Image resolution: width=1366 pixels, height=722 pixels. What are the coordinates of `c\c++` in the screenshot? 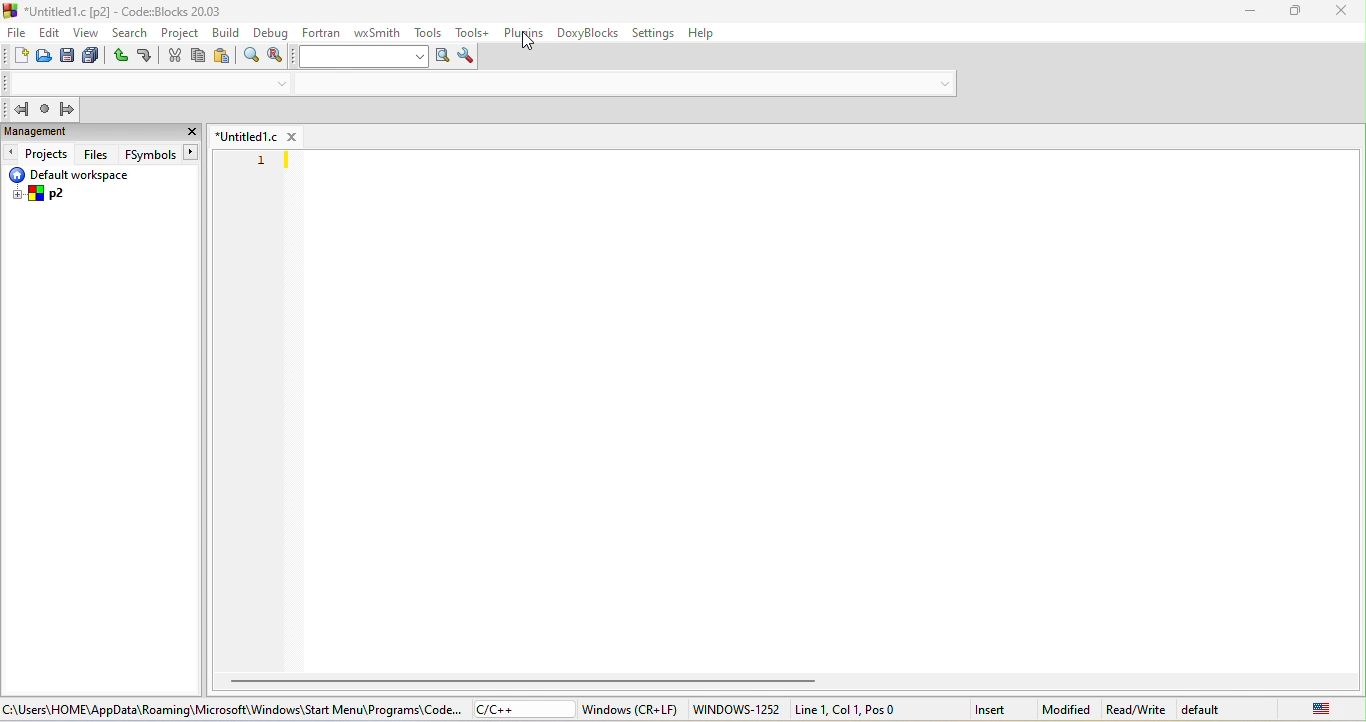 It's located at (521, 709).